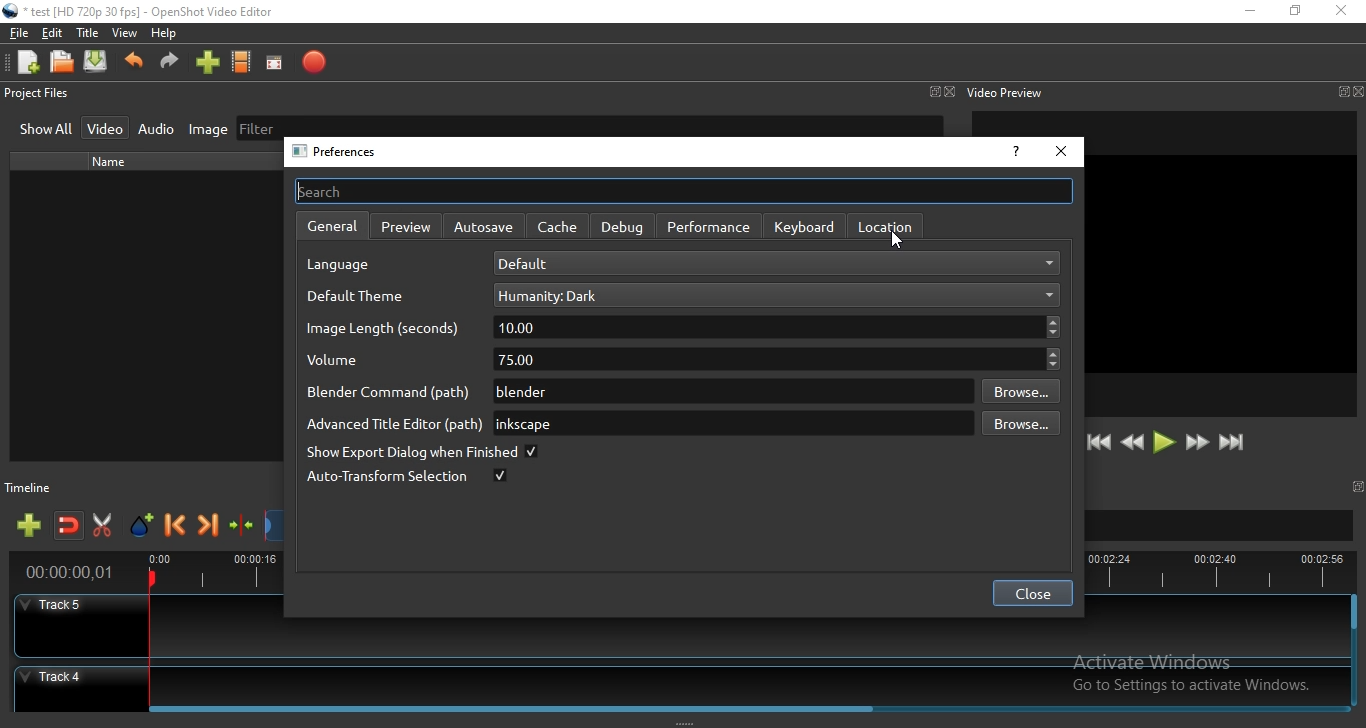  What do you see at coordinates (392, 425) in the screenshot?
I see `advanced title editor` at bounding box center [392, 425].